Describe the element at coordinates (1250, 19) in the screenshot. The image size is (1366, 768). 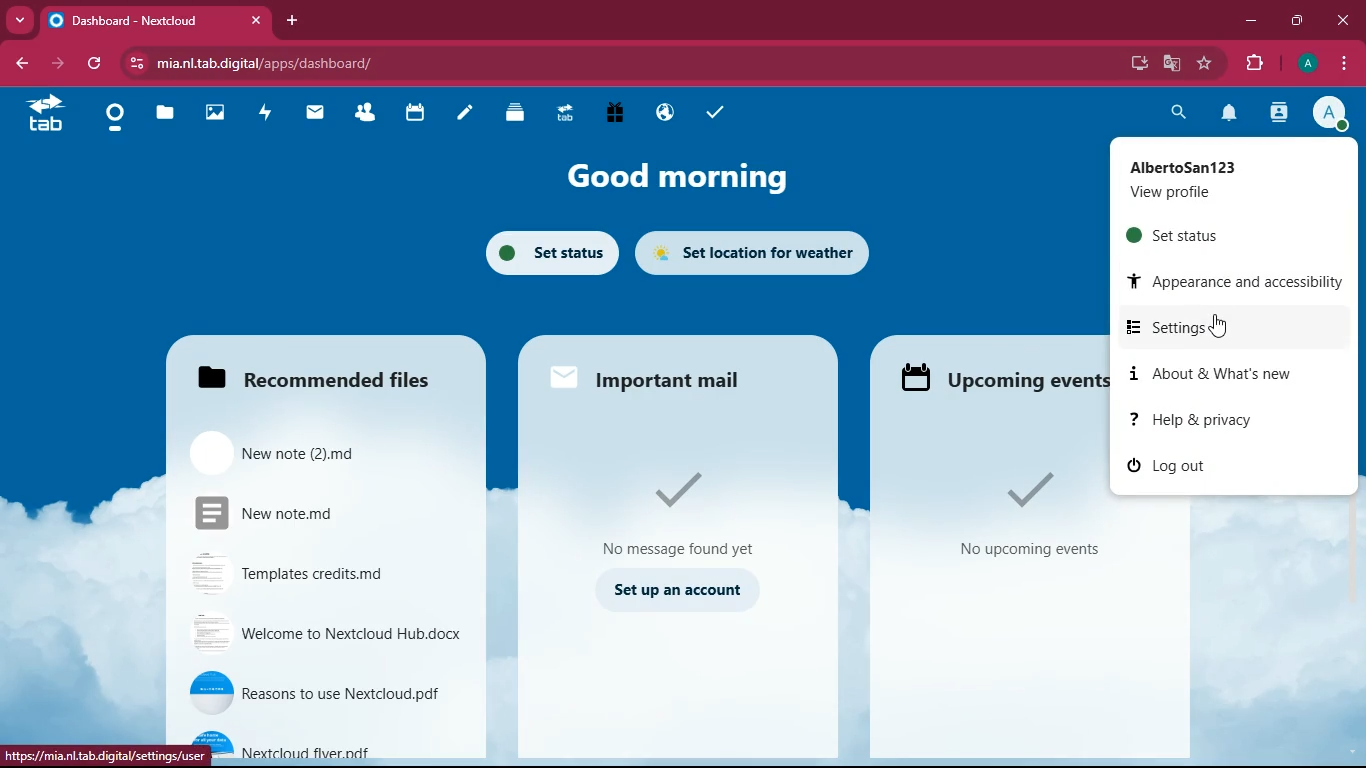
I see `minimize` at that location.